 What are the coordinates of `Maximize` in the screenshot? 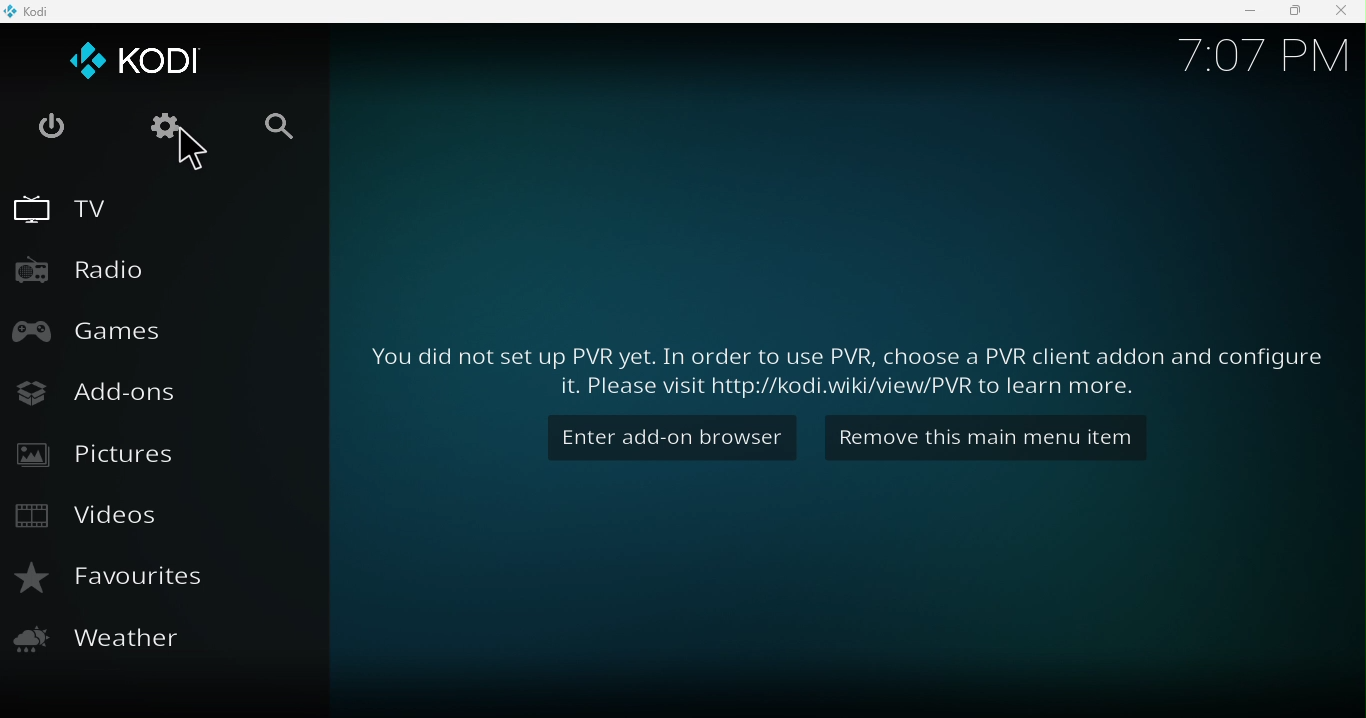 It's located at (1290, 13).